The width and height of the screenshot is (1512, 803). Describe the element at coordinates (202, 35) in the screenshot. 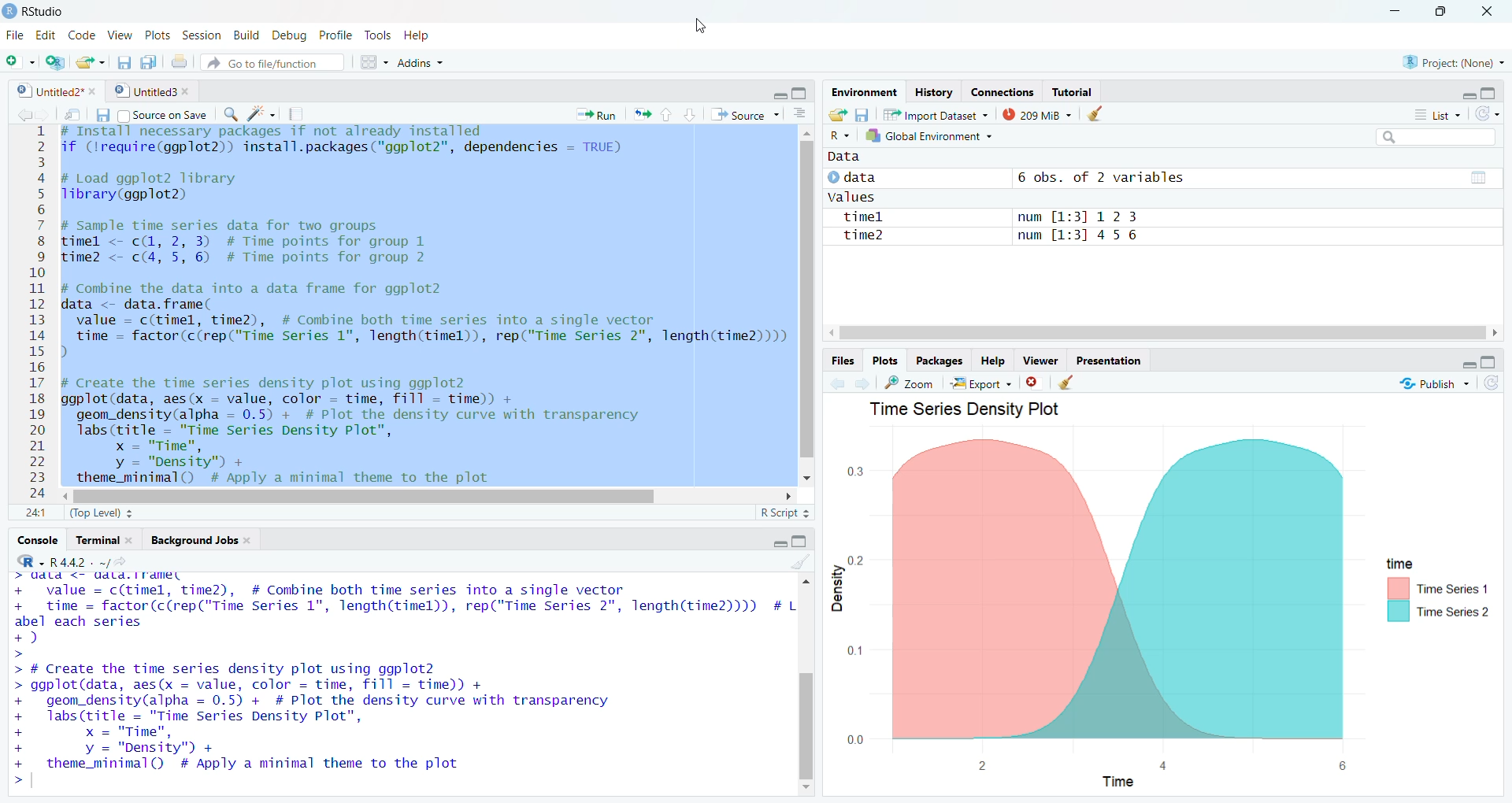

I see `Session` at that location.